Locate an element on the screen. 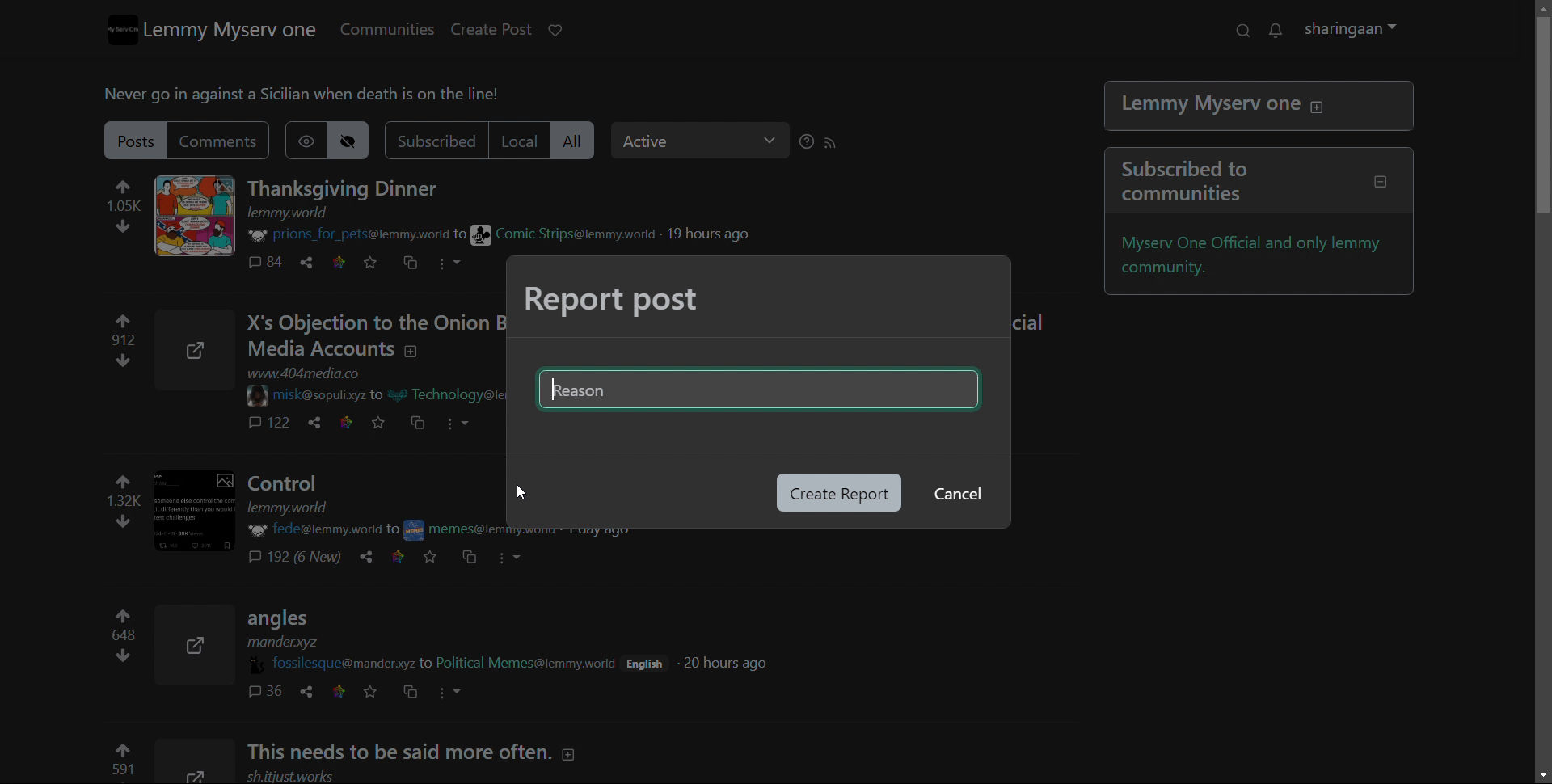 The width and height of the screenshot is (1552, 784). share is located at coordinates (315, 262).